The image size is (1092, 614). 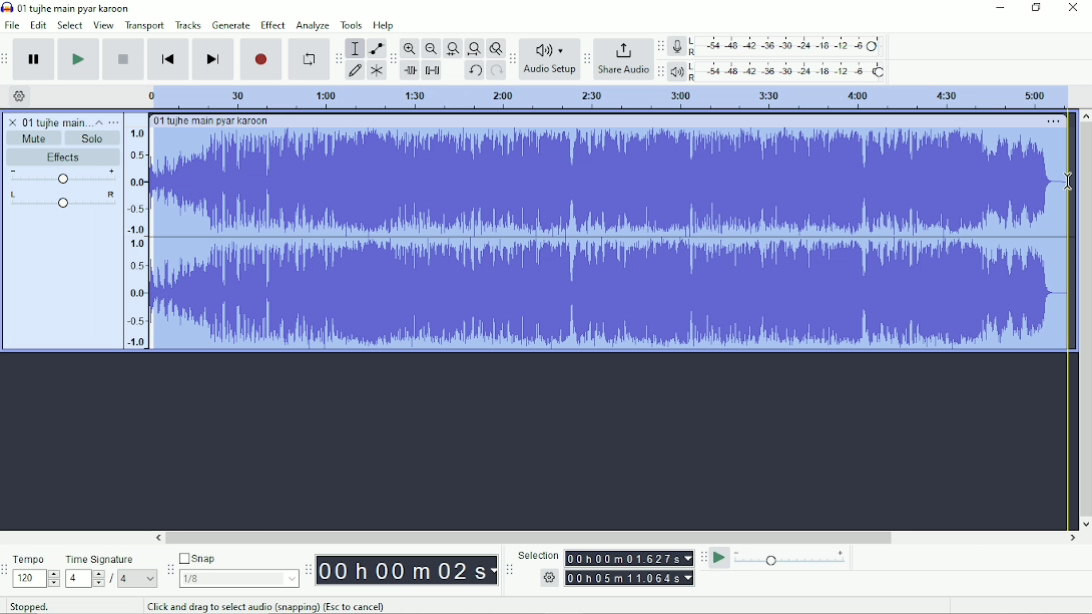 What do you see at coordinates (35, 138) in the screenshot?
I see `Mute` at bounding box center [35, 138].